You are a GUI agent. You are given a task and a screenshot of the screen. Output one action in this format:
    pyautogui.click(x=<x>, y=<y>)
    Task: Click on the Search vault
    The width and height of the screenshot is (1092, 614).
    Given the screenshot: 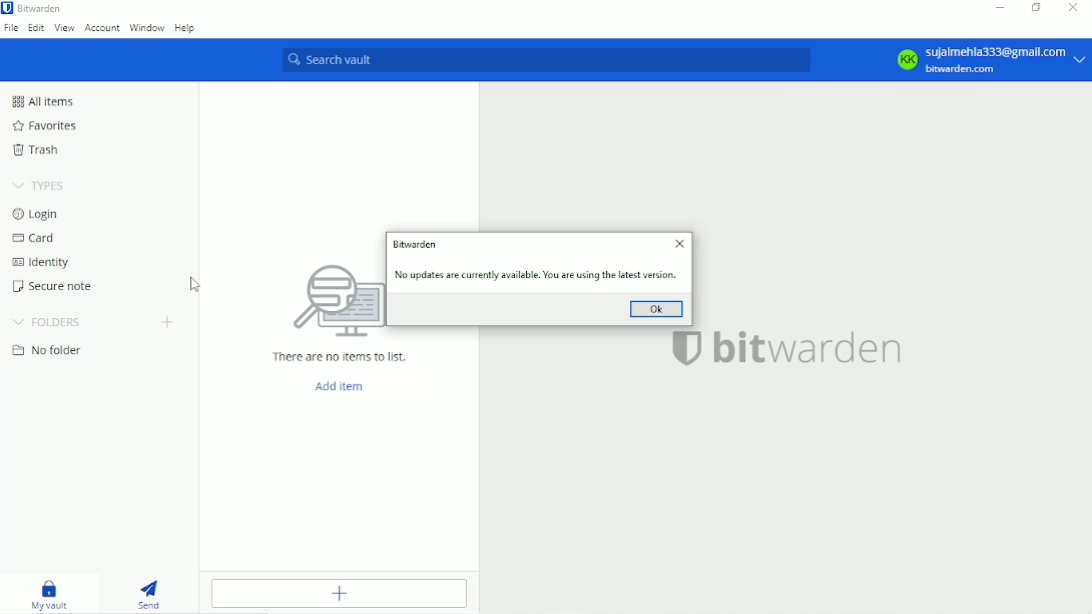 What is the action you would take?
    pyautogui.click(x=545, y=59)
    